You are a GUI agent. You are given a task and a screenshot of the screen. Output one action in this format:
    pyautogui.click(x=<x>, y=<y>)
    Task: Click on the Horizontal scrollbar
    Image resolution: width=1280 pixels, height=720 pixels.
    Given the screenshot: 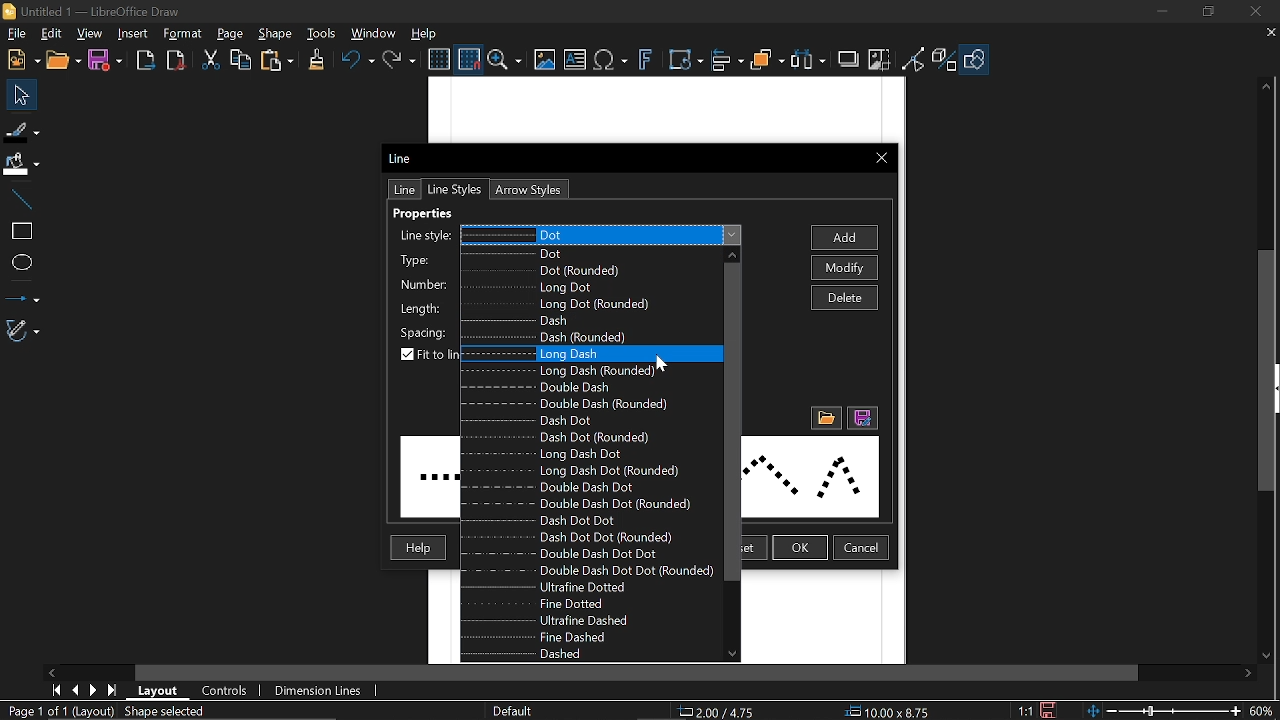 What is the action you would take?
    pyautogui.click(x=638, y=673)
    